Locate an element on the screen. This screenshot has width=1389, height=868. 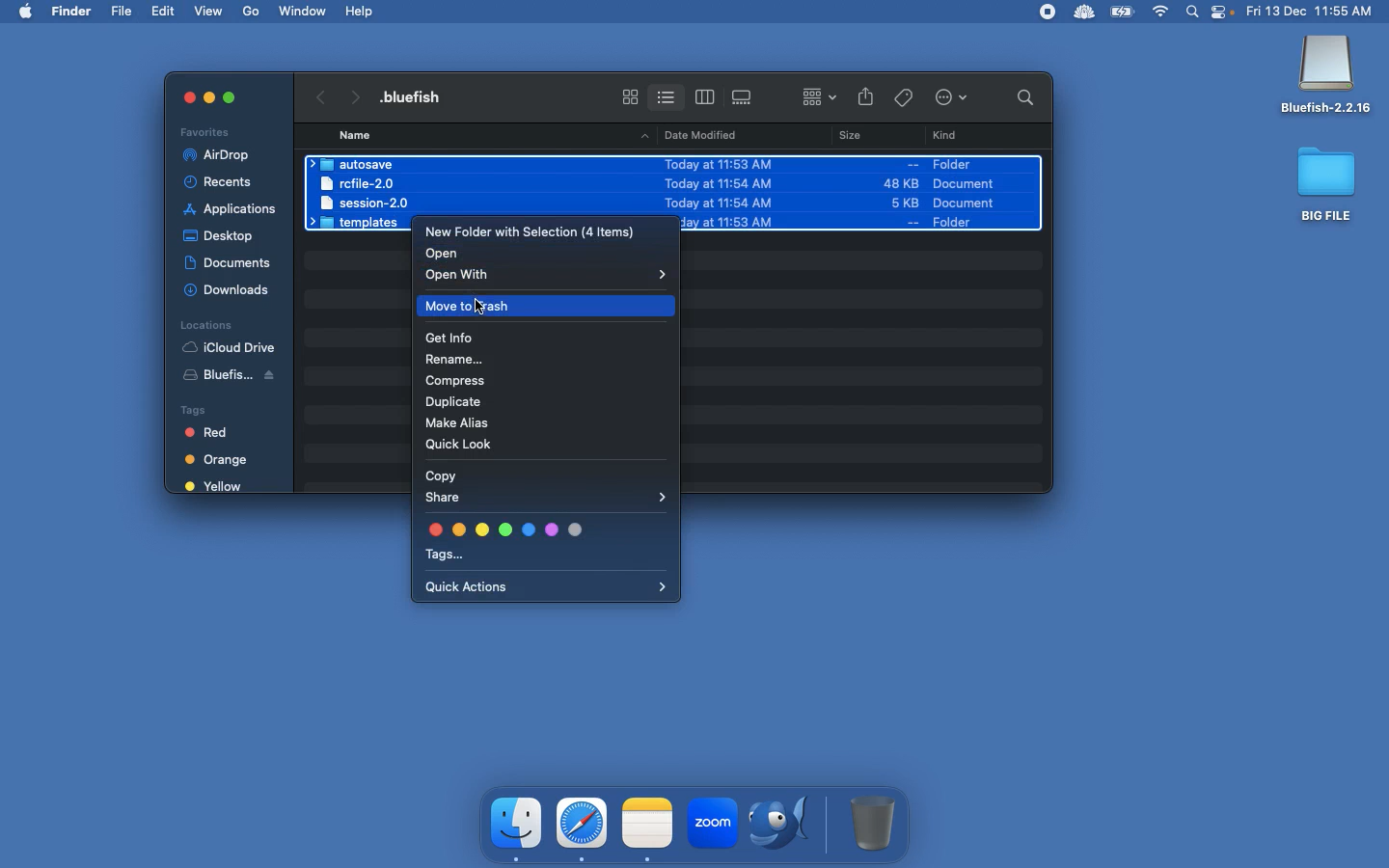
Bluefish is located at coordinates (1326, 76).